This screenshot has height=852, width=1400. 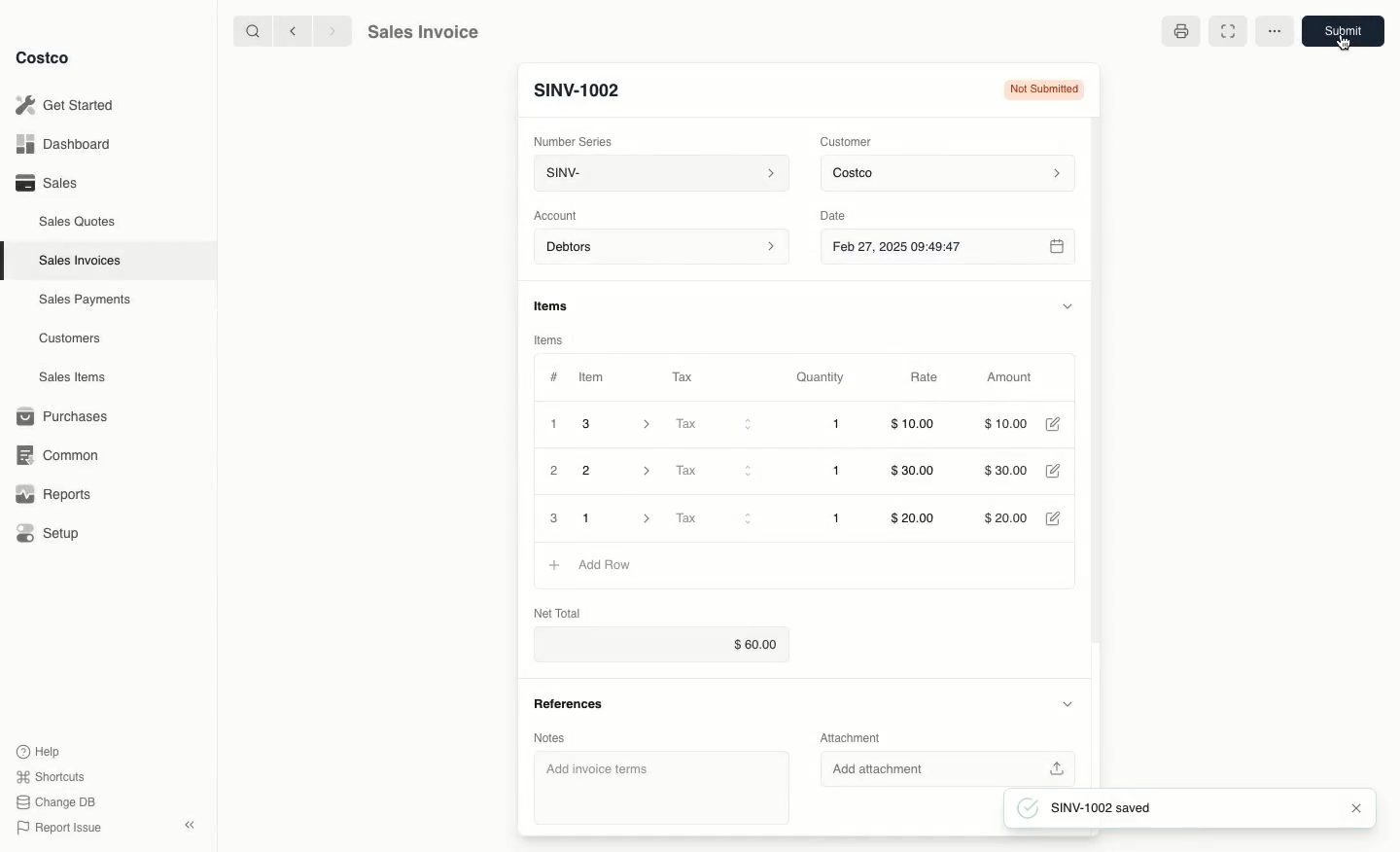 I want to click on 3, so click(x=622, y=424).